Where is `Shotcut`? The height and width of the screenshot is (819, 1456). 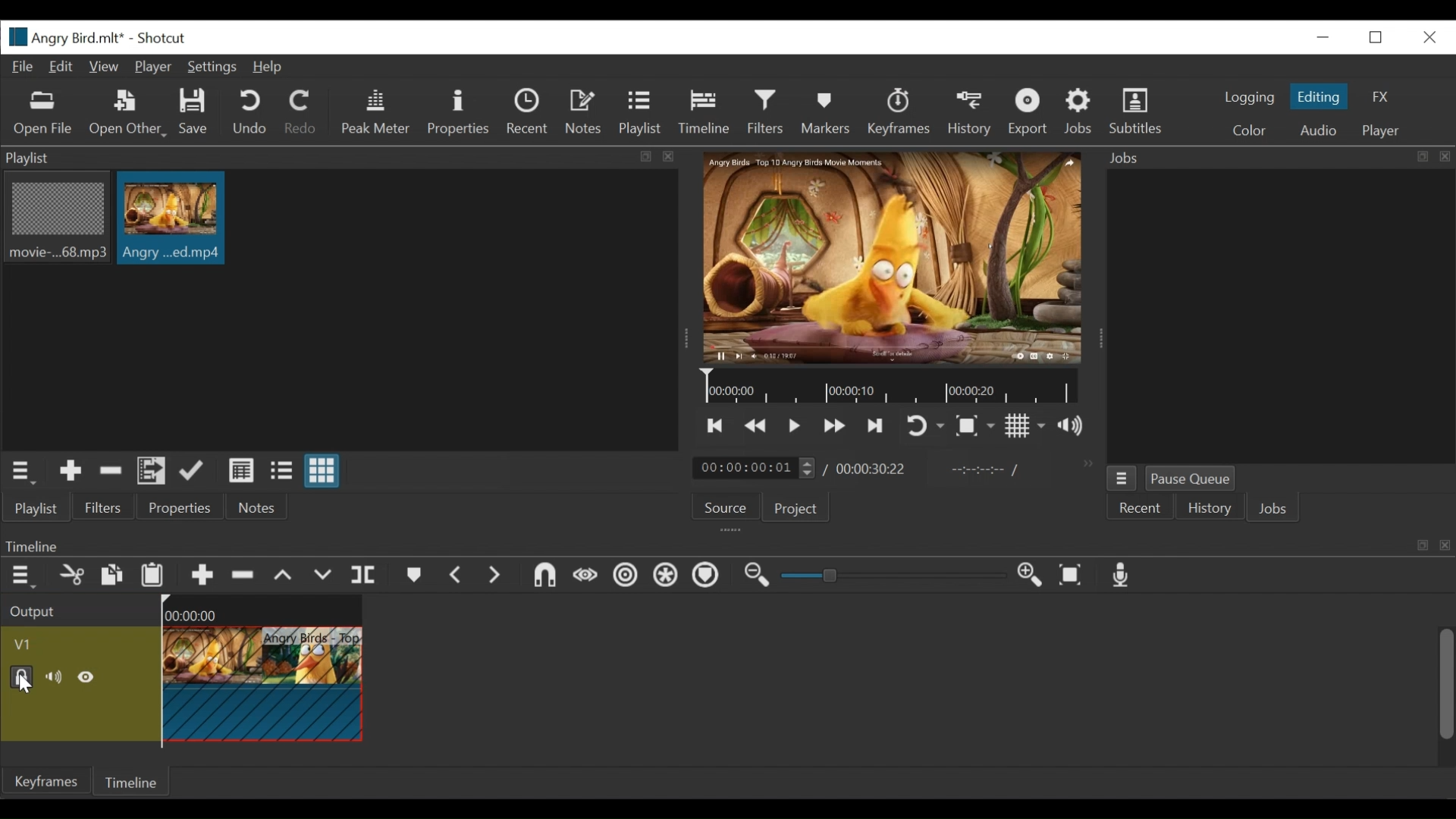
Shotcut is located at coordinates (166, 37).